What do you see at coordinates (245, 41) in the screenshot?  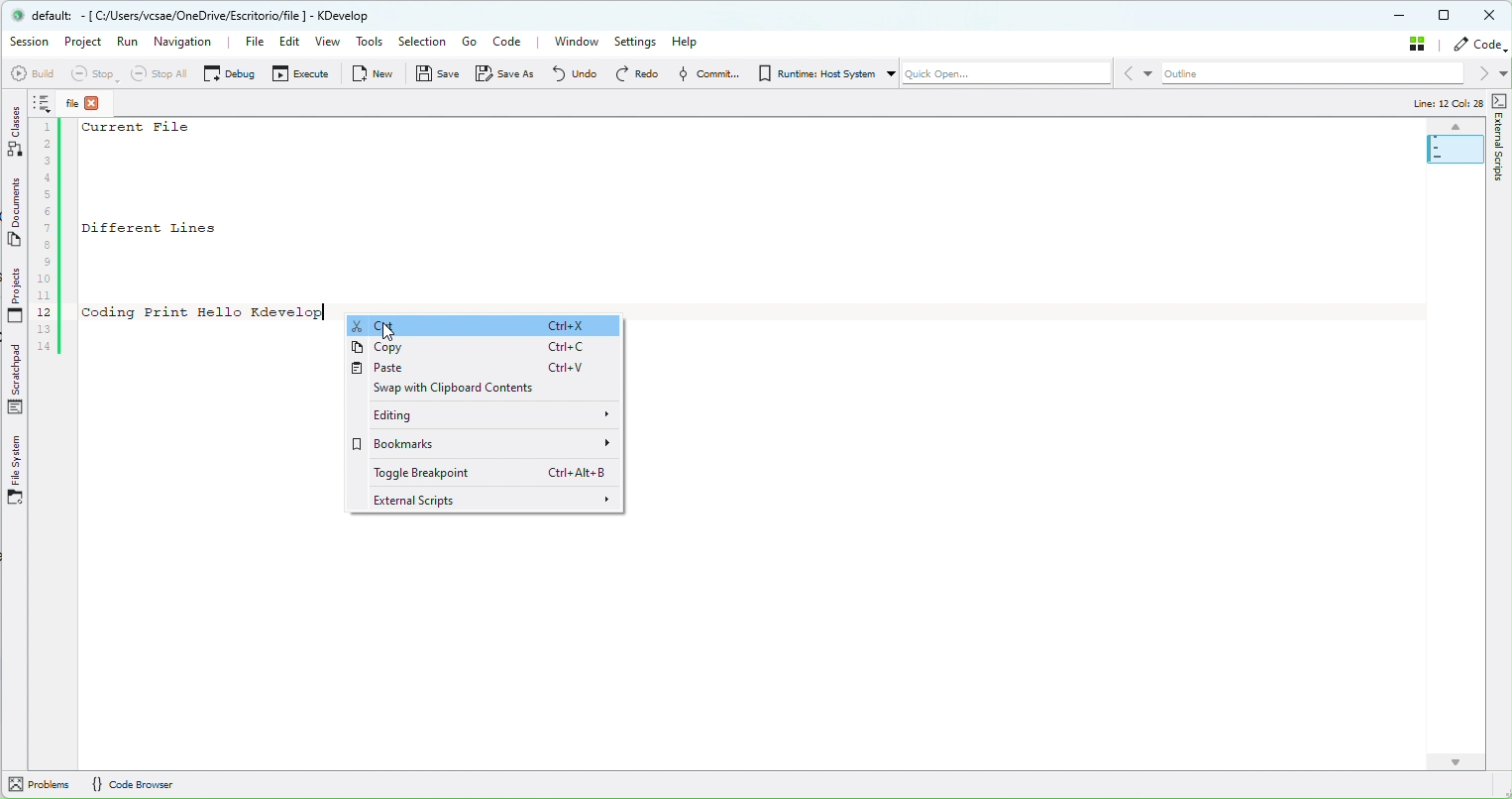 I see `File` at bounding box center [245, 41].